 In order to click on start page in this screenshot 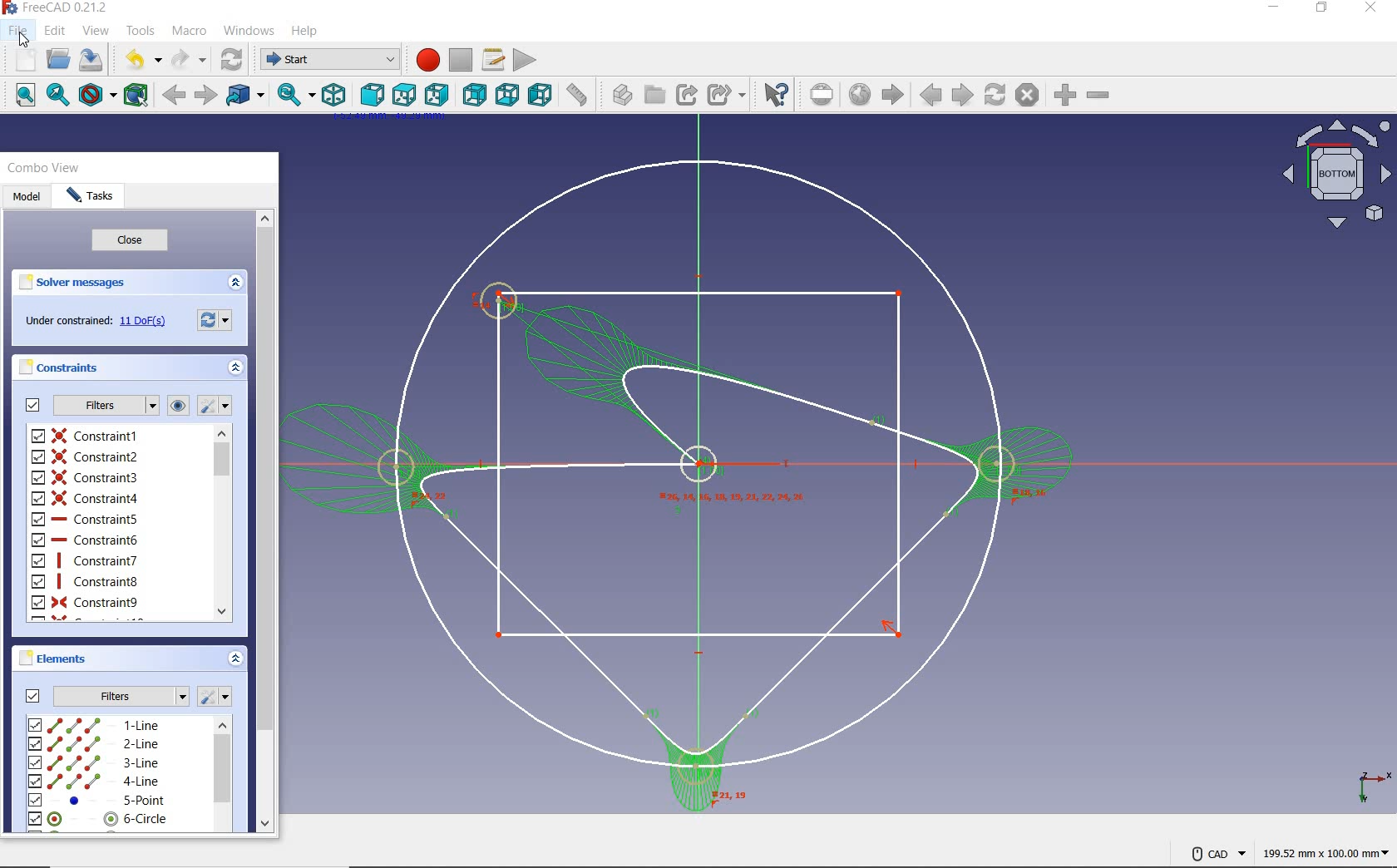, I will do `click(893, 95)`.